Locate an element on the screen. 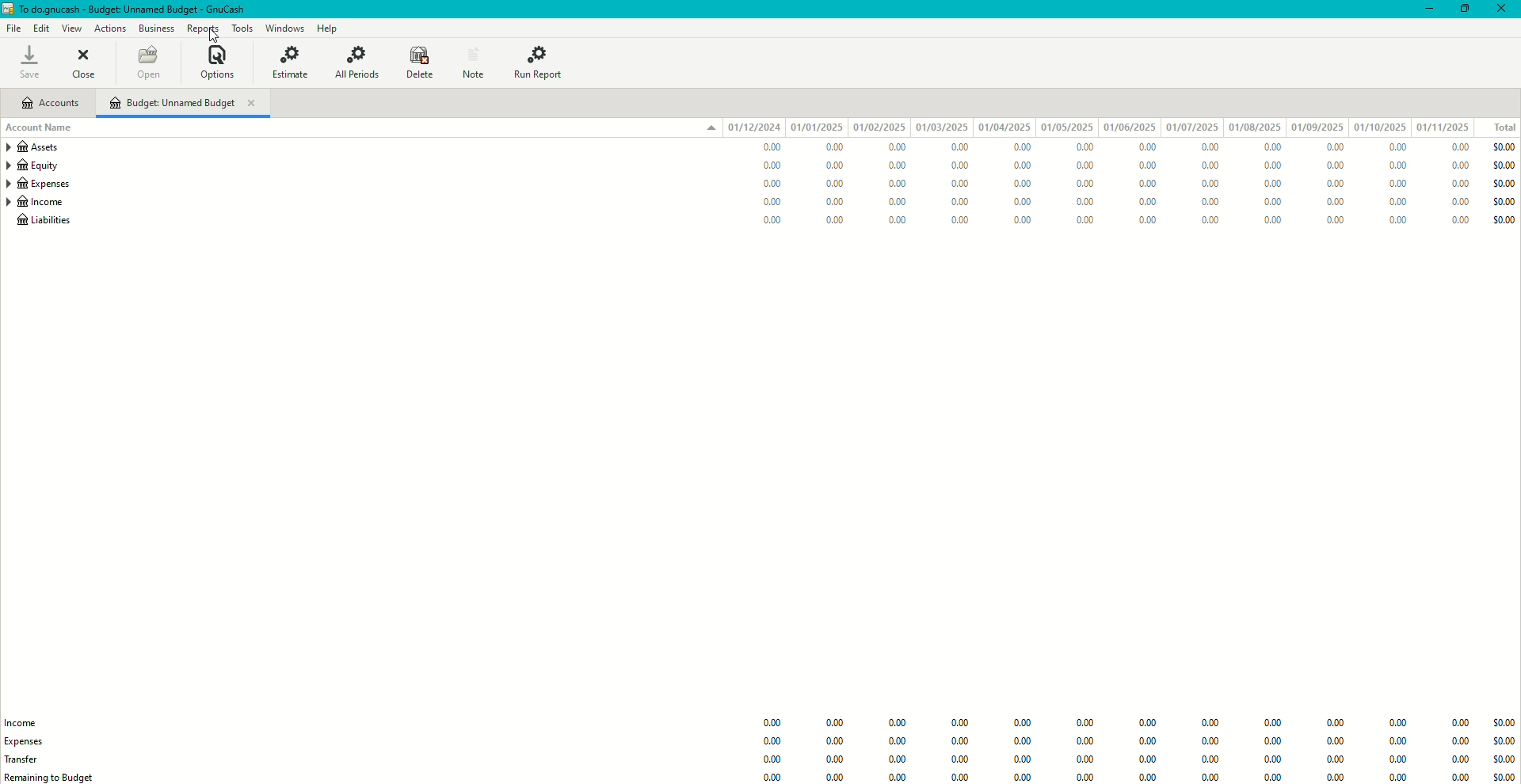 The height and width of the screenshot is (784, 1521). 0.00 is located at coordinates (1268, 165).